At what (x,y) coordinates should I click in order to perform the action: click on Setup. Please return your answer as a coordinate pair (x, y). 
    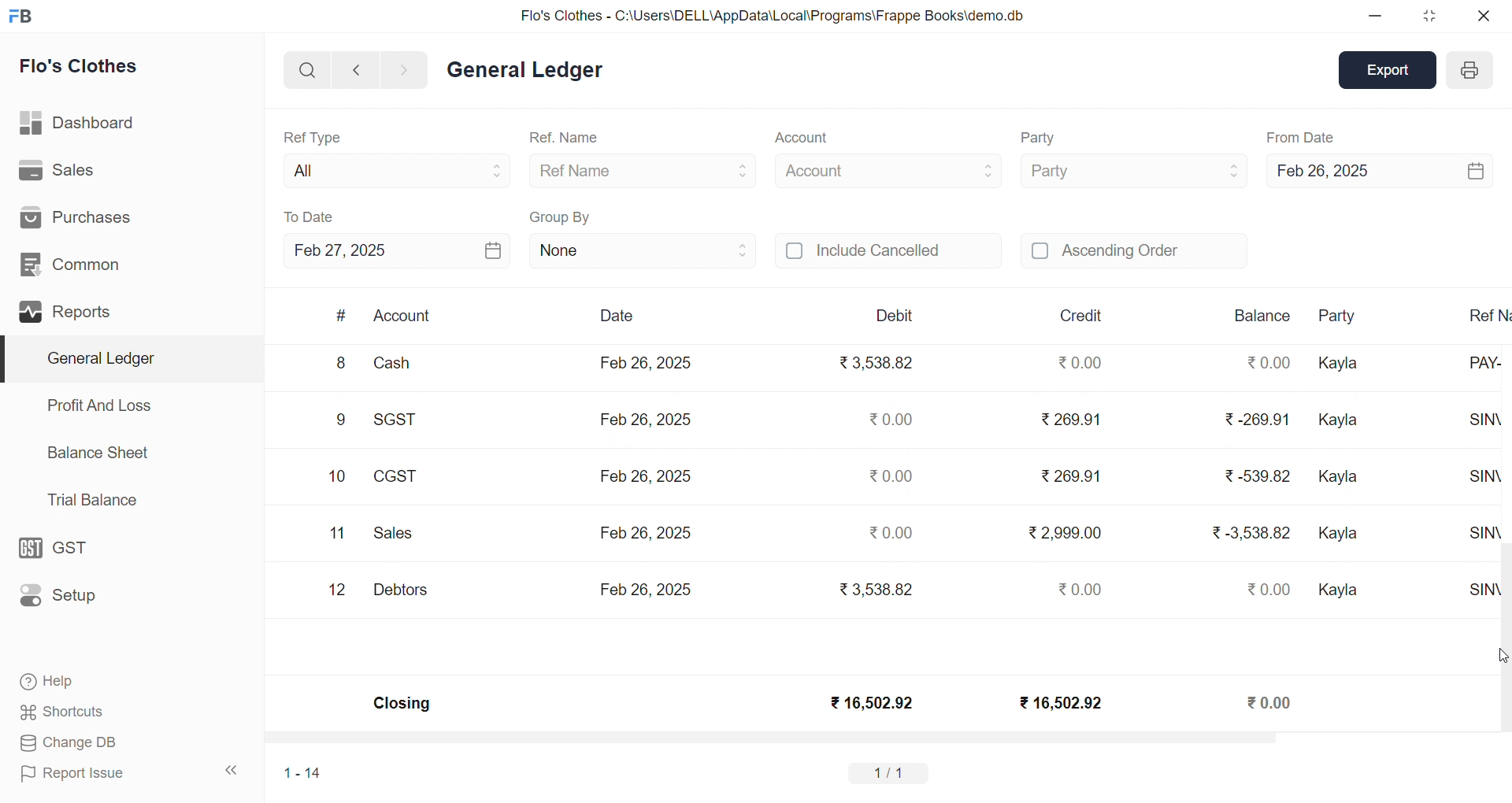
    Looking at the image, I should click on (62, 596).